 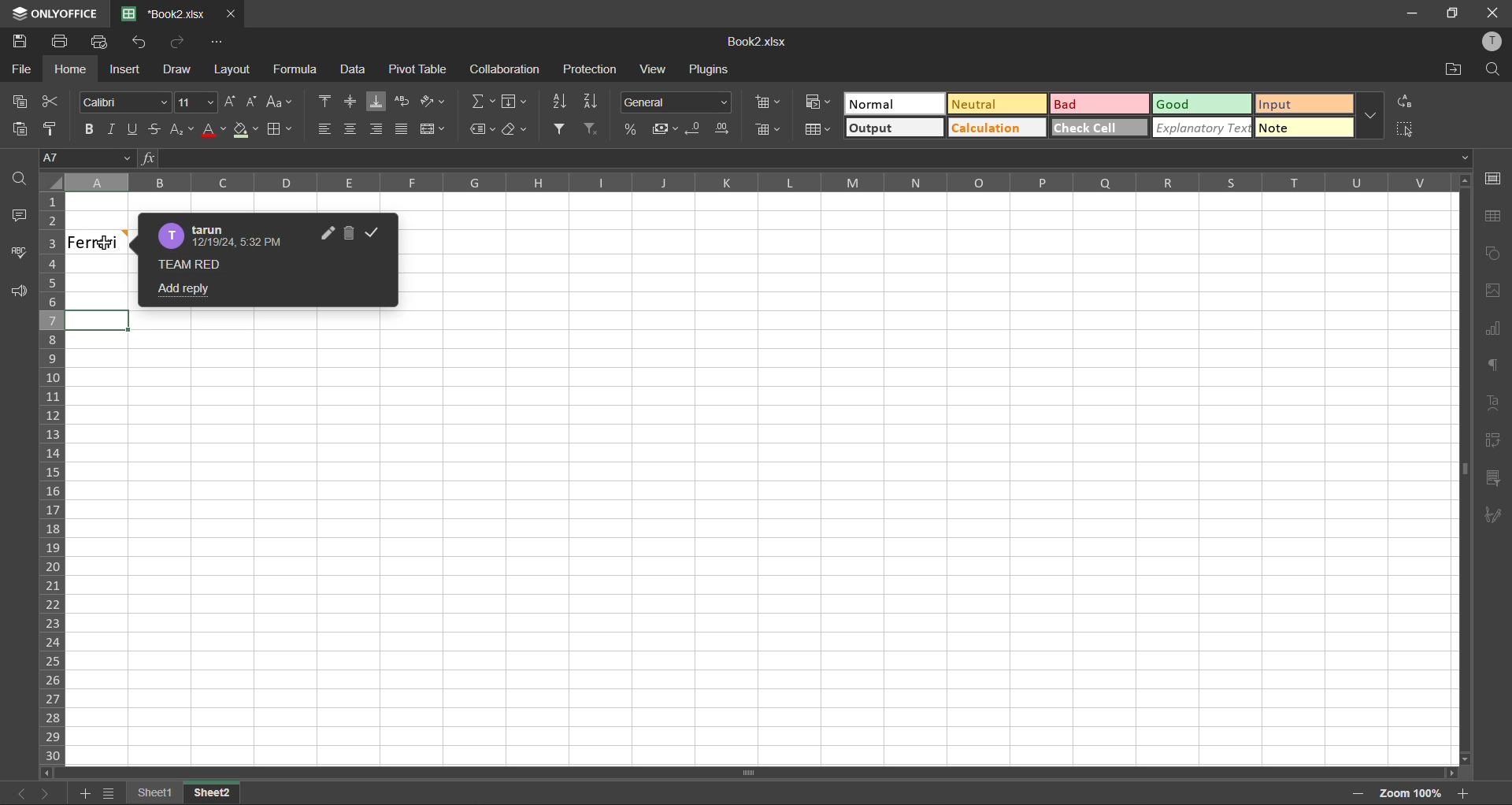 I want to click on fields, so click(x=515, y=101).